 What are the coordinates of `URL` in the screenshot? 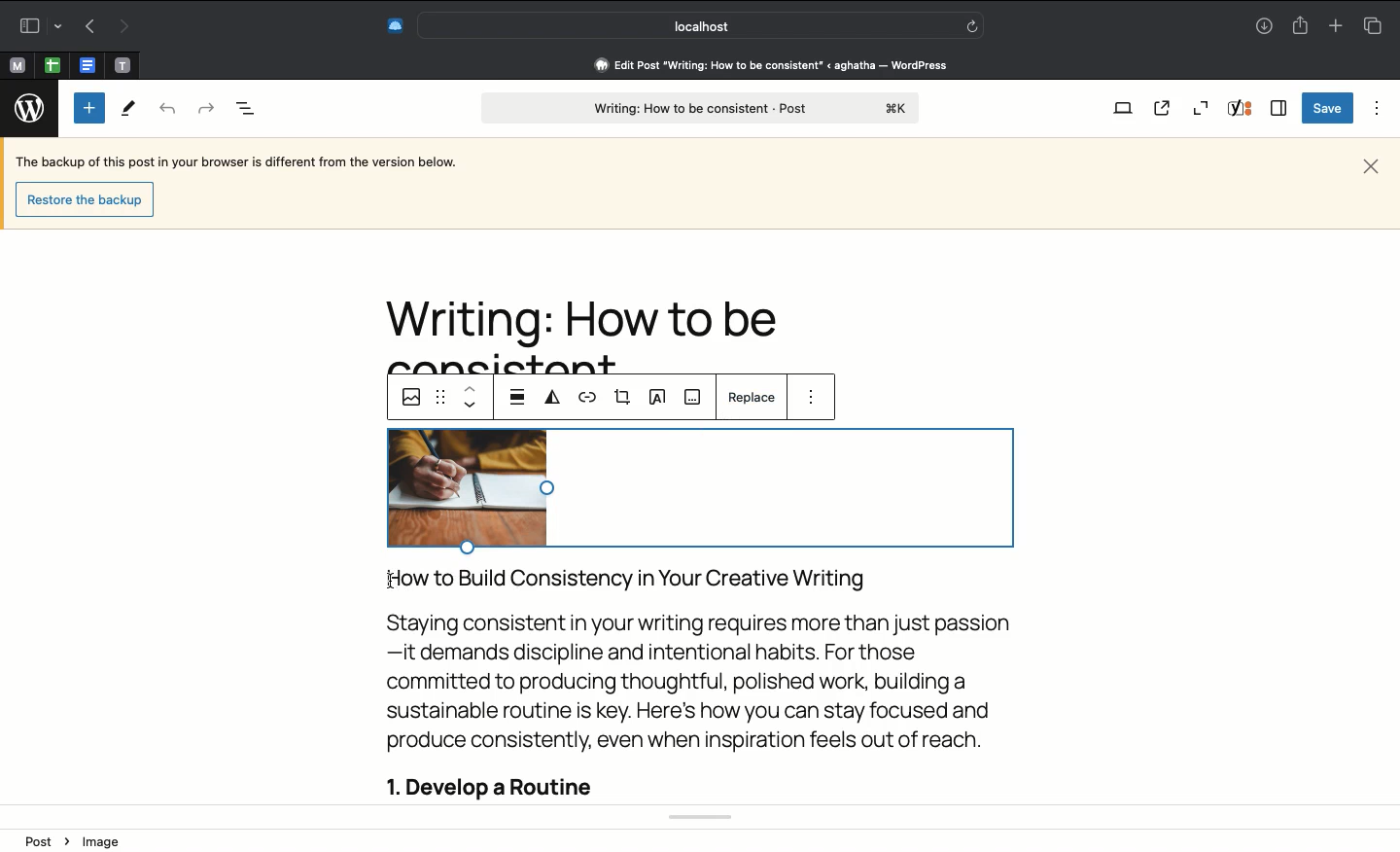 It's located at (588, 398).